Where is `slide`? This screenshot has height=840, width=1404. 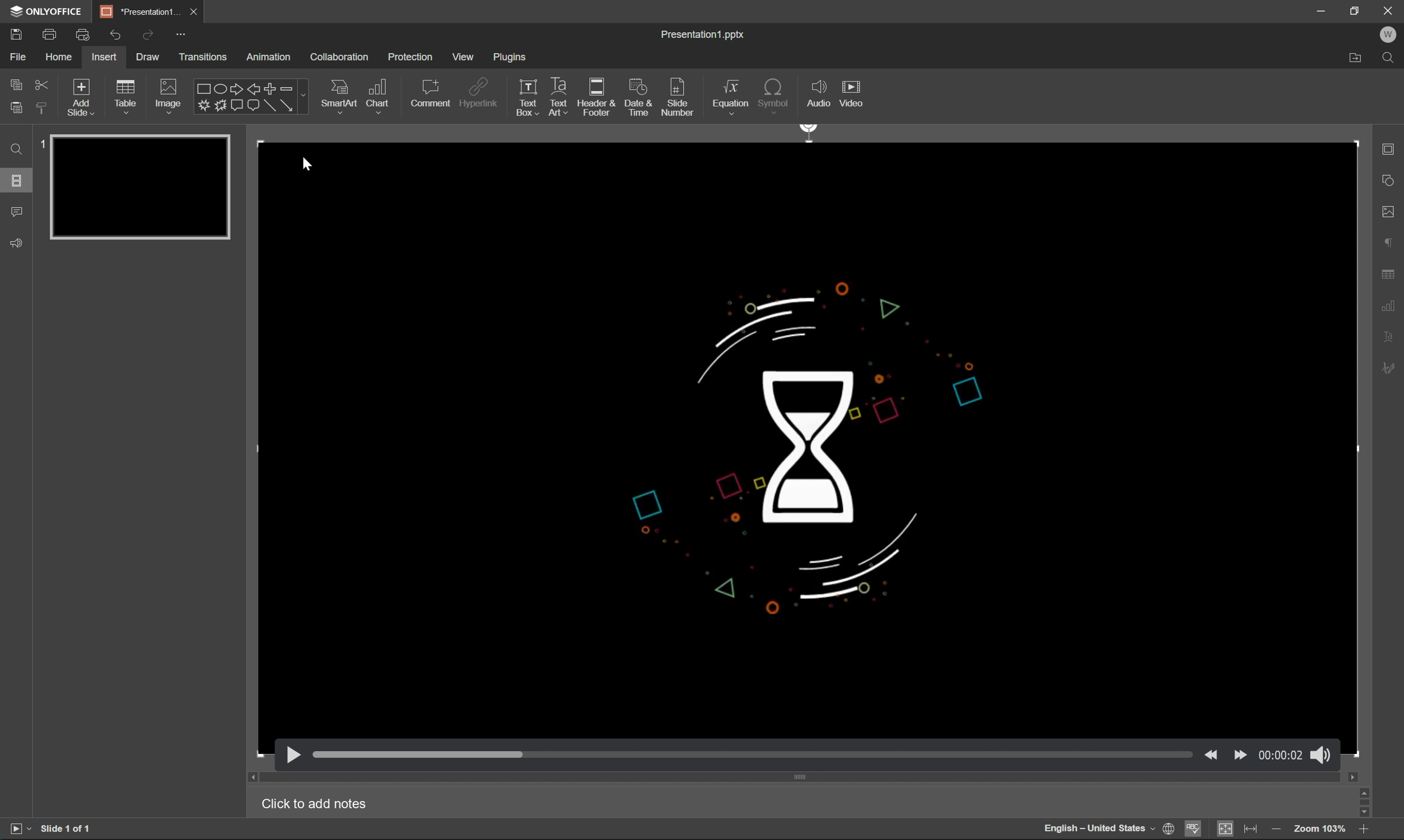
slide is located at coordinates (140, 188).